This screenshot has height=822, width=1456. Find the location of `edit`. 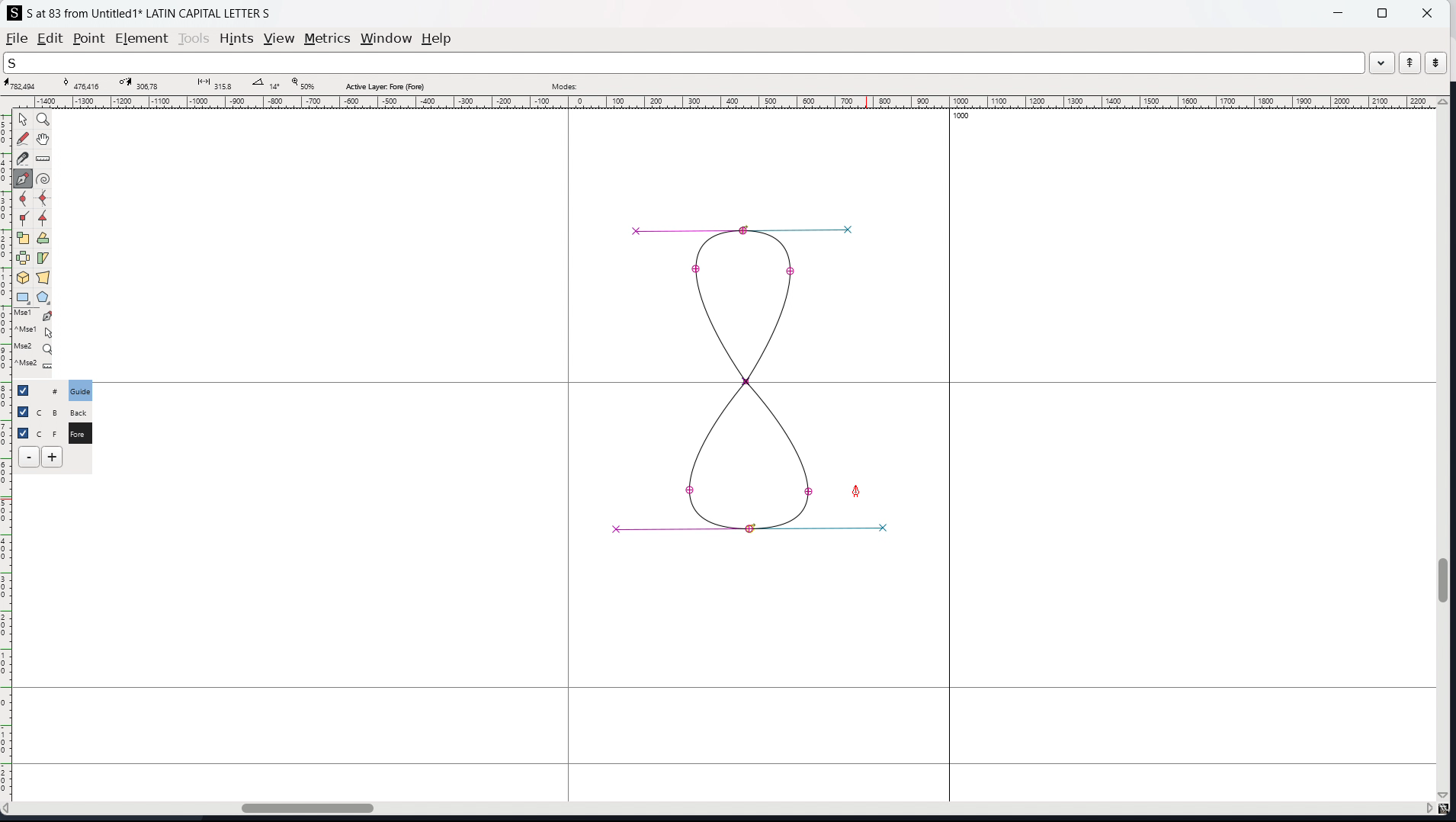

edit is located at coordinates (50, 38).